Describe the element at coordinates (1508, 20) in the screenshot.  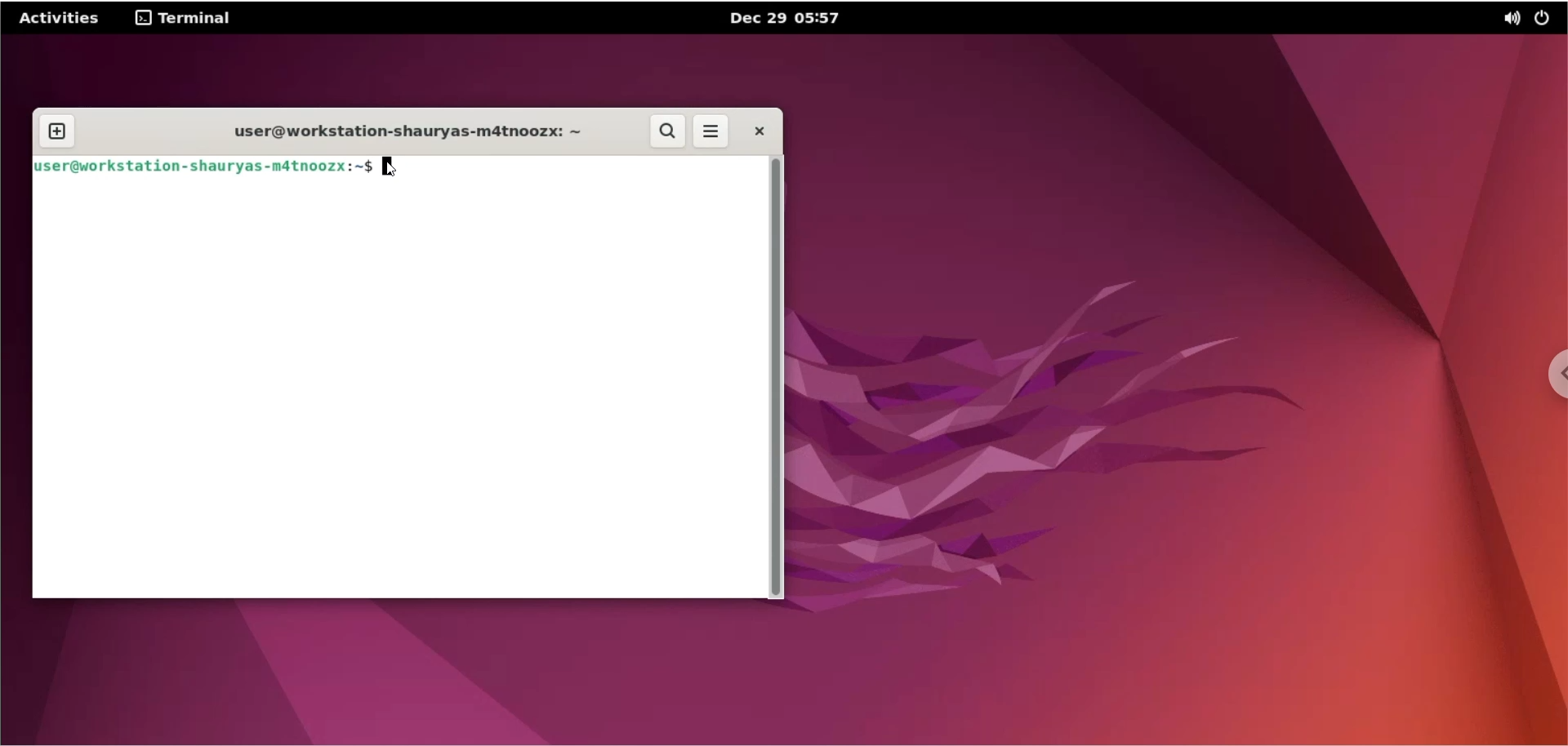
I see `sound option` at that location.